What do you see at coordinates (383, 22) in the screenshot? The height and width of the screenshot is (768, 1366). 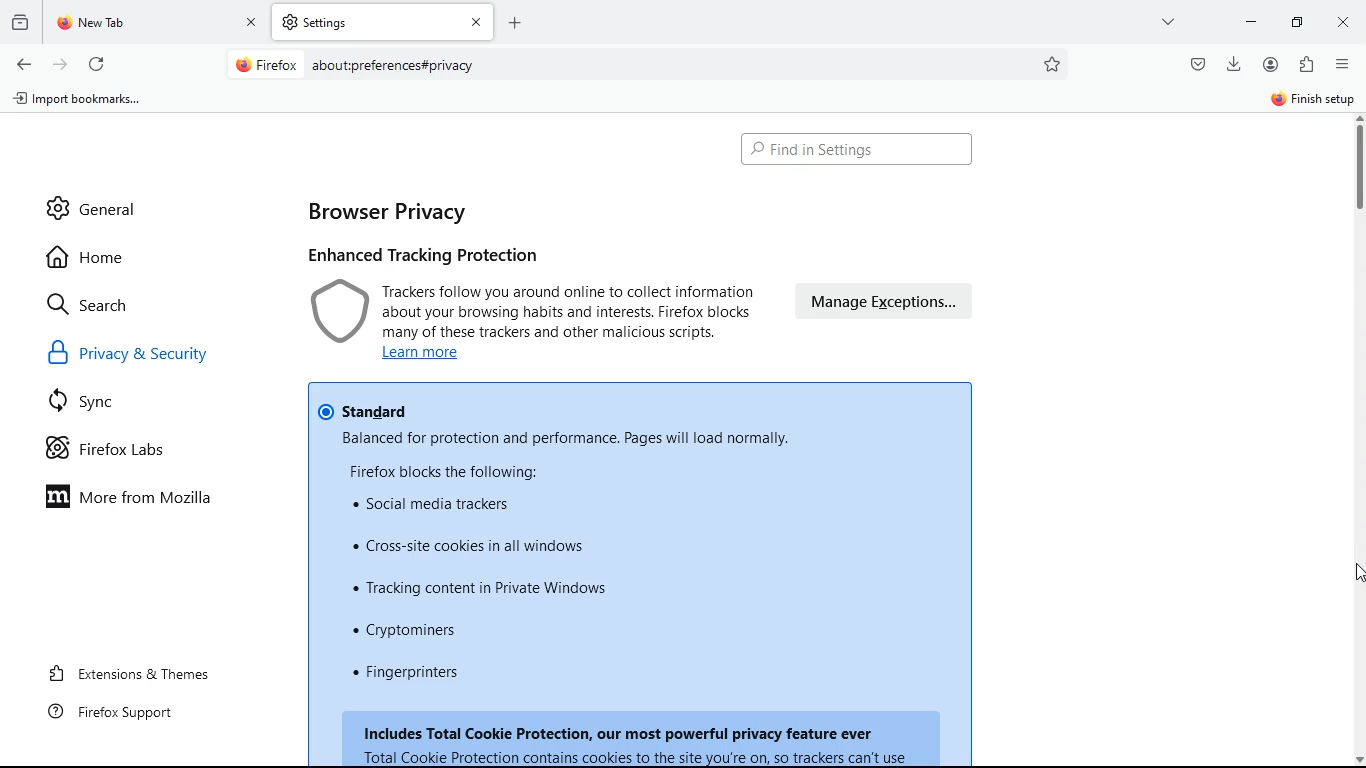 I see `tab` at bounding box center [383, 22].